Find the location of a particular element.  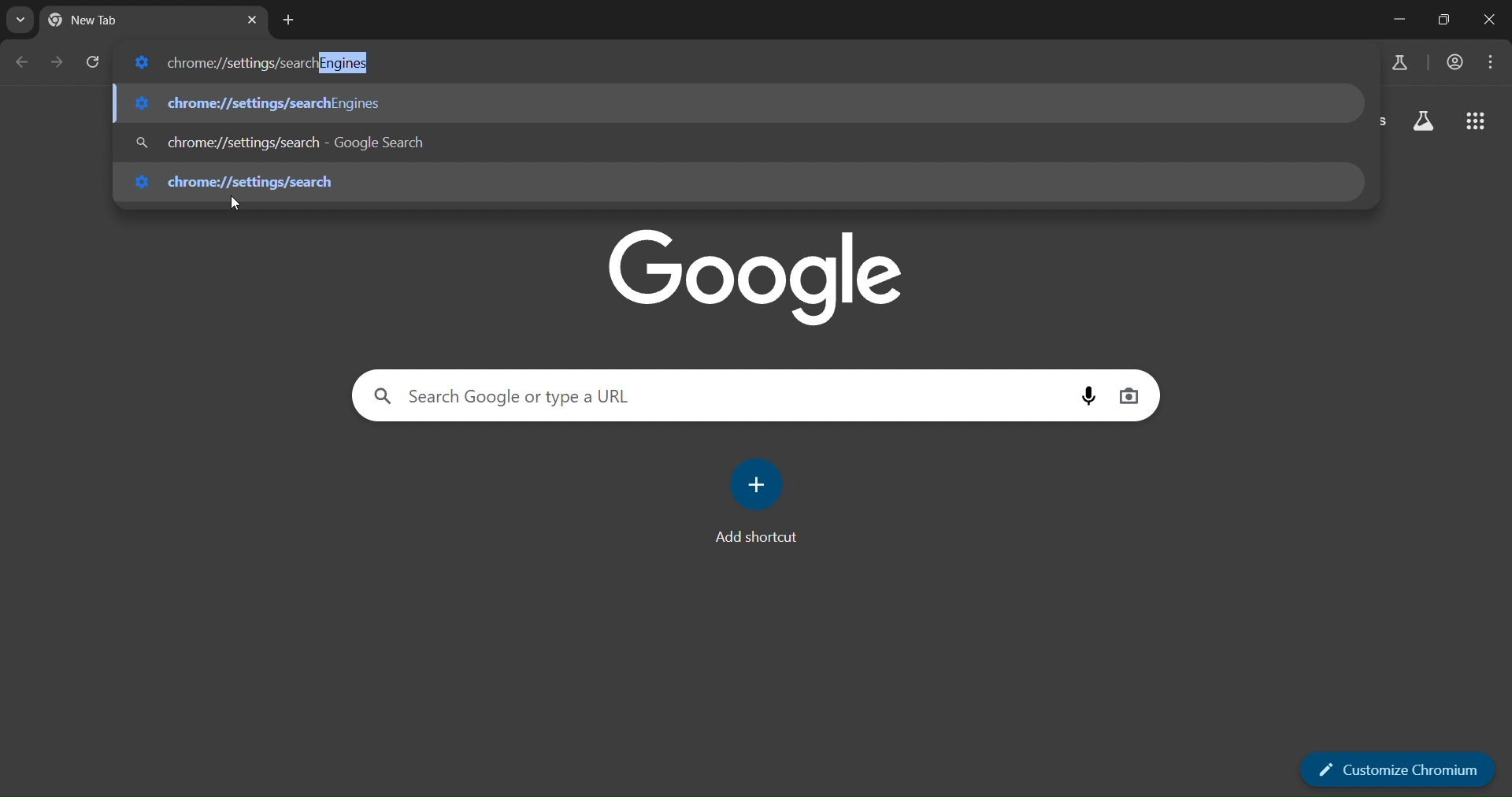

go forward 1 page is located at coordinates (57, 61).